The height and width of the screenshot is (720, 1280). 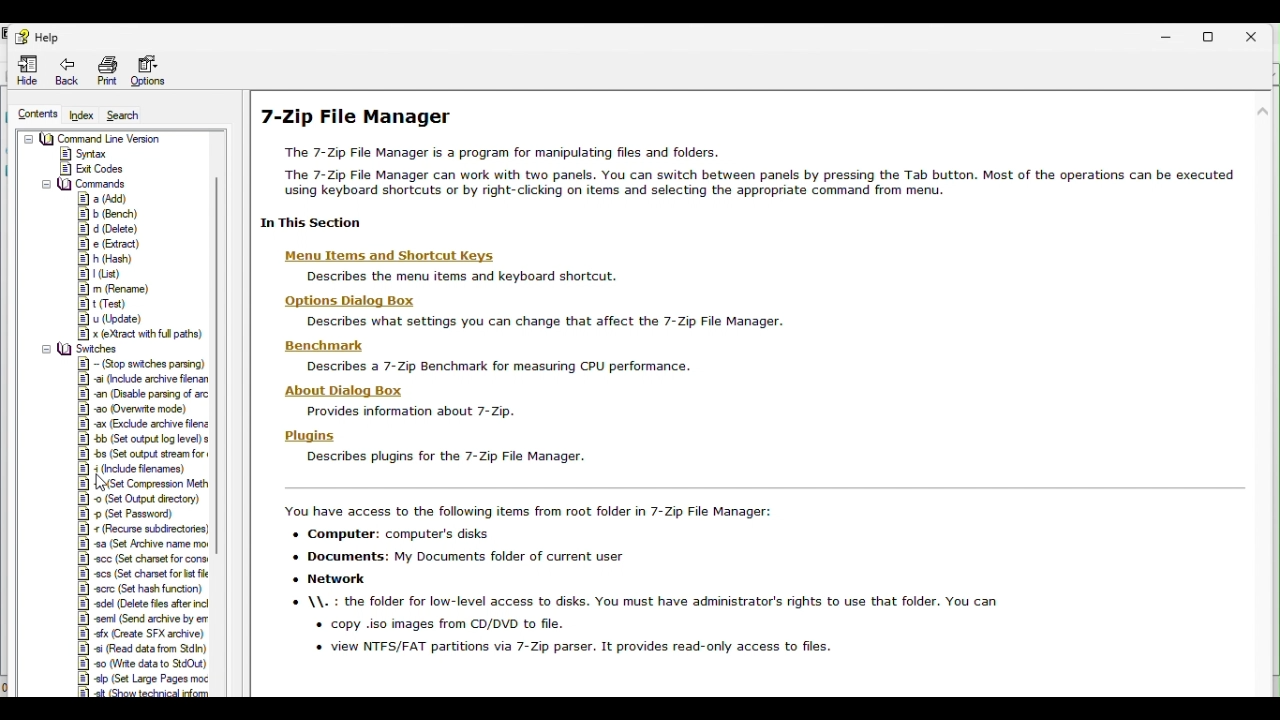 I want to click on sfx, so click(x=143, y=635).